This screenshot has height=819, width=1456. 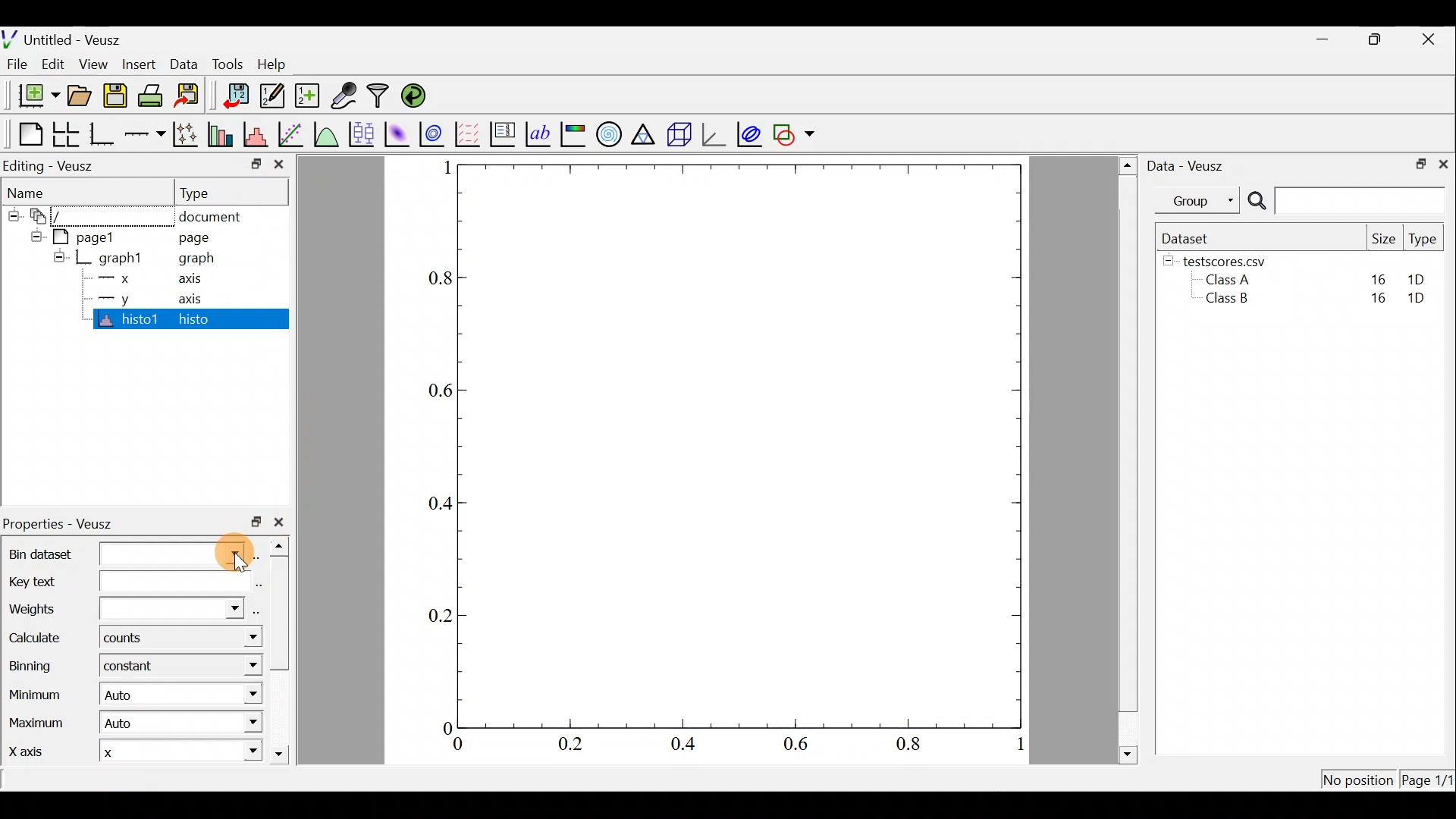 What do you see at coordinates (1429, 780) in the screenshot?
I see `Page 1/1` at bounding box center [1429, 780].